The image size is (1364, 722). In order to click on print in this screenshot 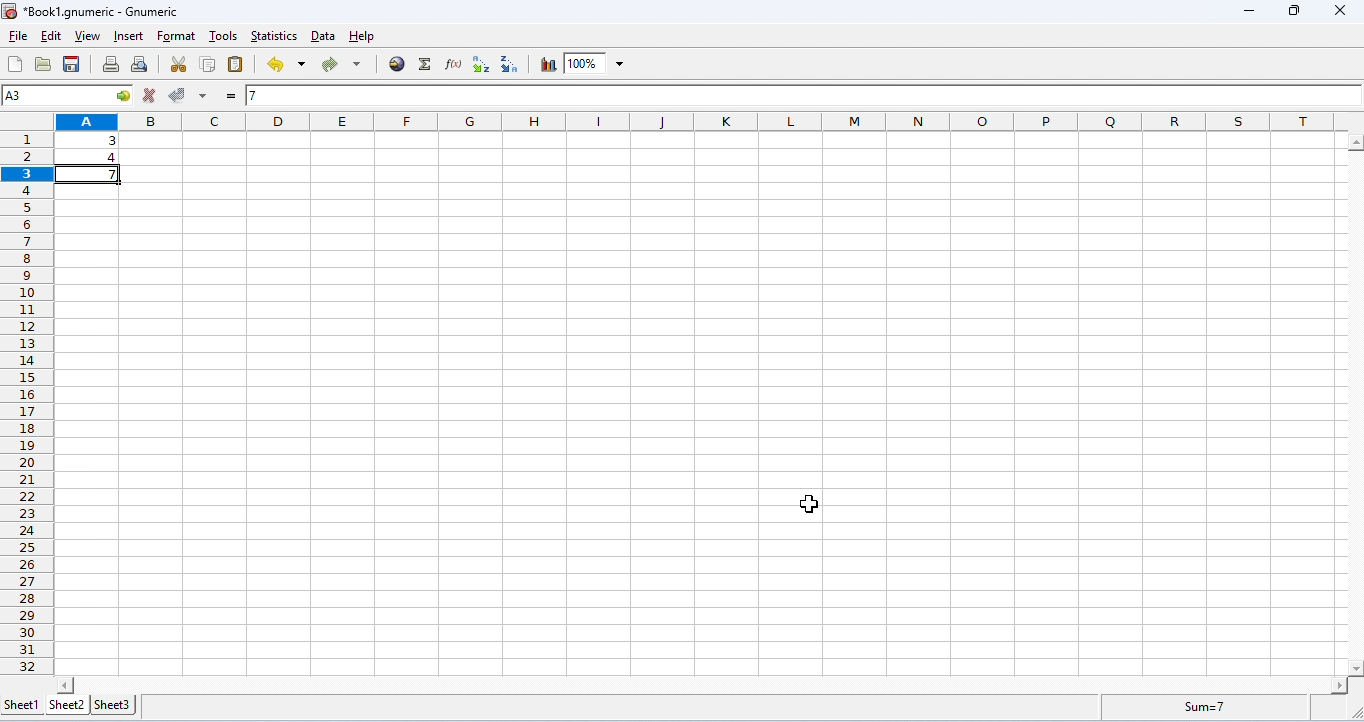, I will do `click(112, 65)`.